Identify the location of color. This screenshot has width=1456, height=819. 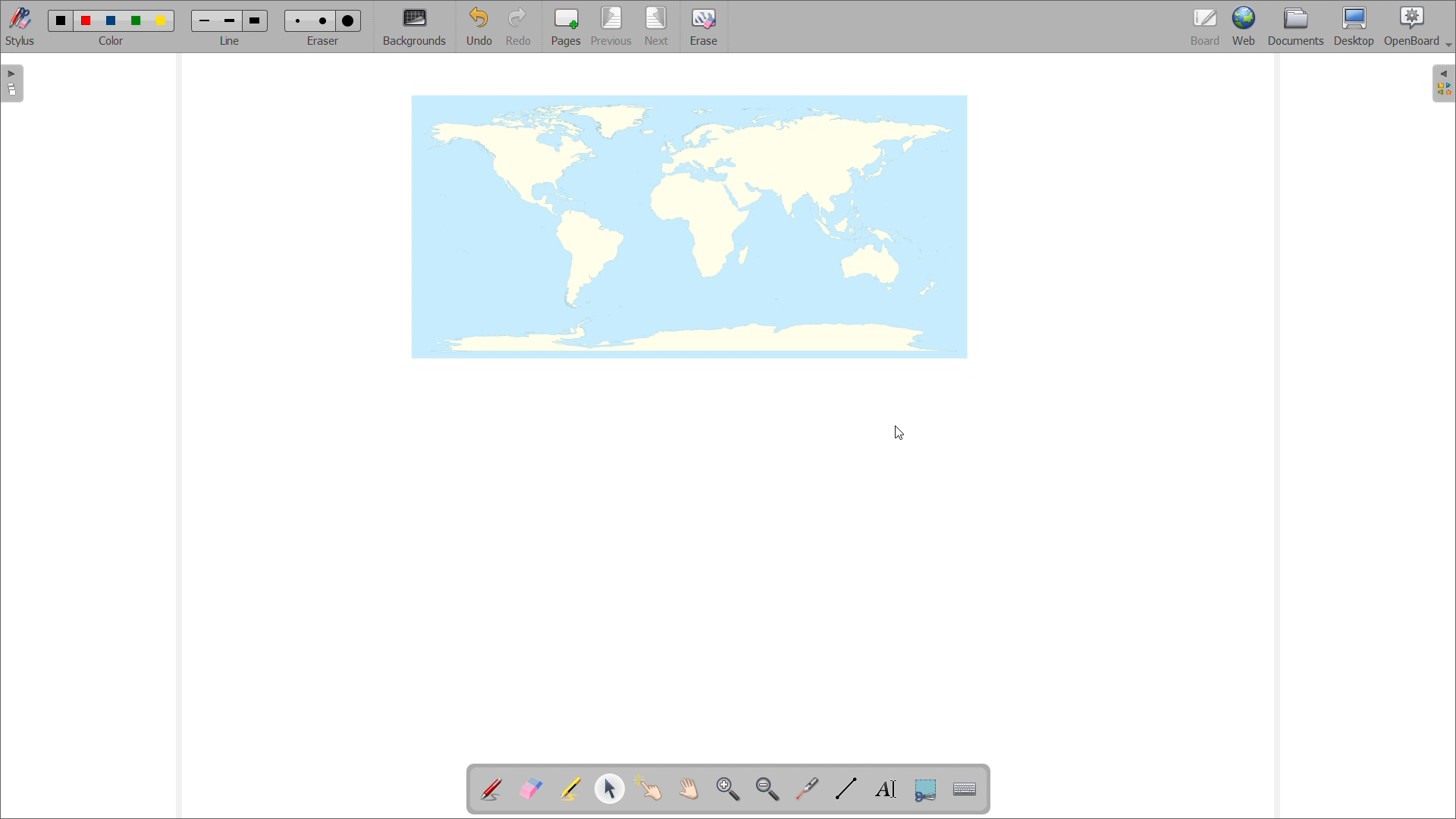
(114, 41).